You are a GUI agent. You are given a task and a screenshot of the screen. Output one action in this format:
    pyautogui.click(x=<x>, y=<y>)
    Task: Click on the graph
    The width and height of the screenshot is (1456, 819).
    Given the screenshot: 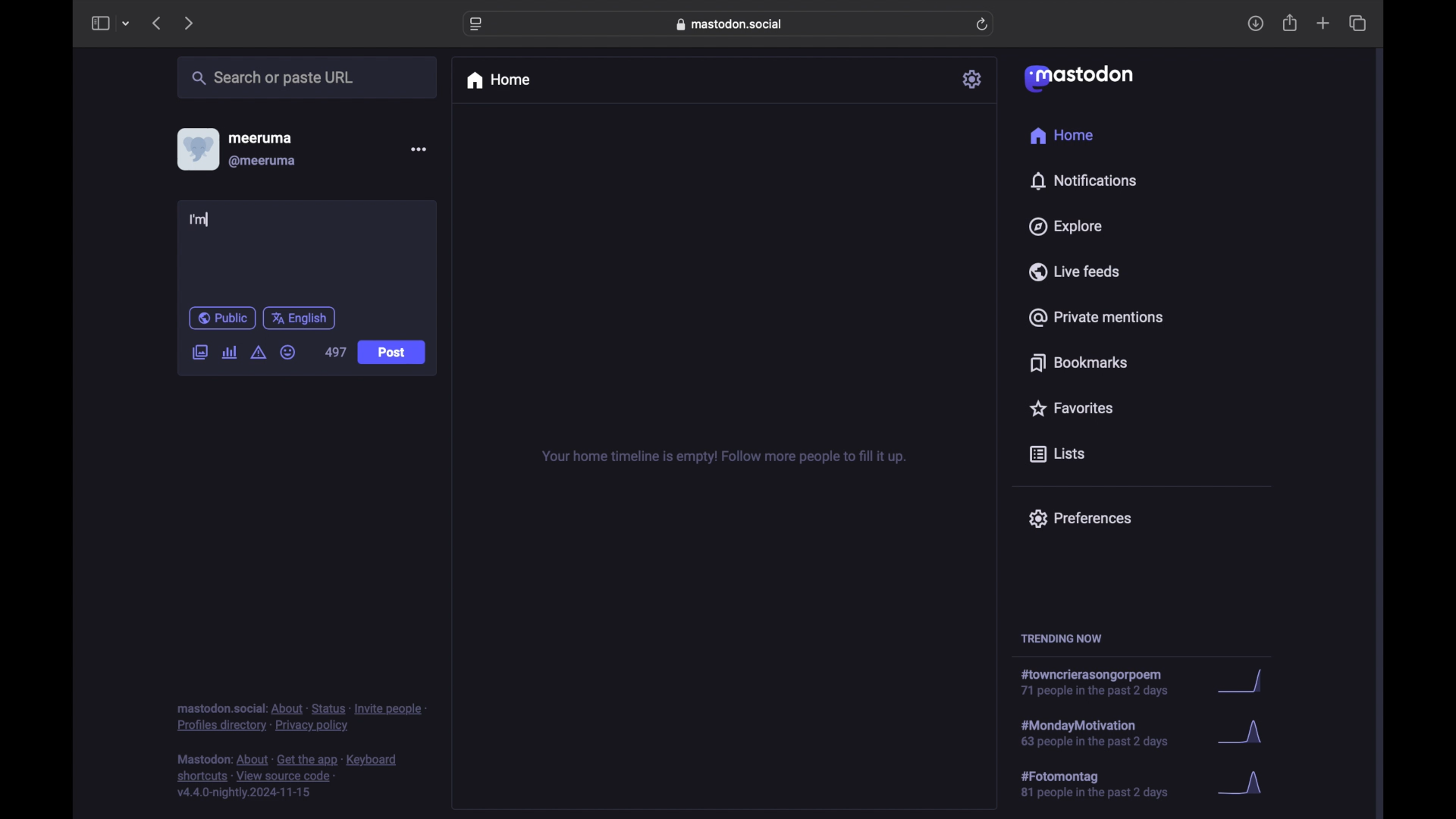 What is the action you would take?
    pyautogui.click(x=1245, y=784)
    